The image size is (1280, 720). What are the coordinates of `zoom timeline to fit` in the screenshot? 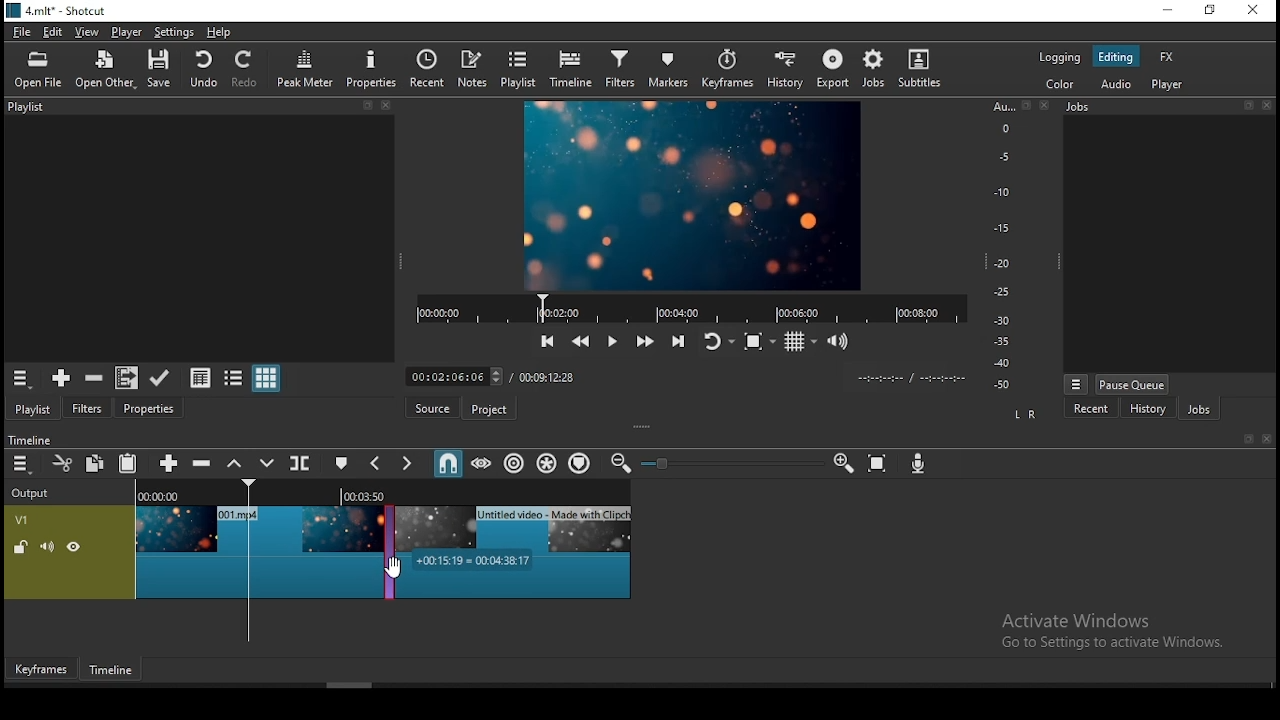 It's located at (879, 462).